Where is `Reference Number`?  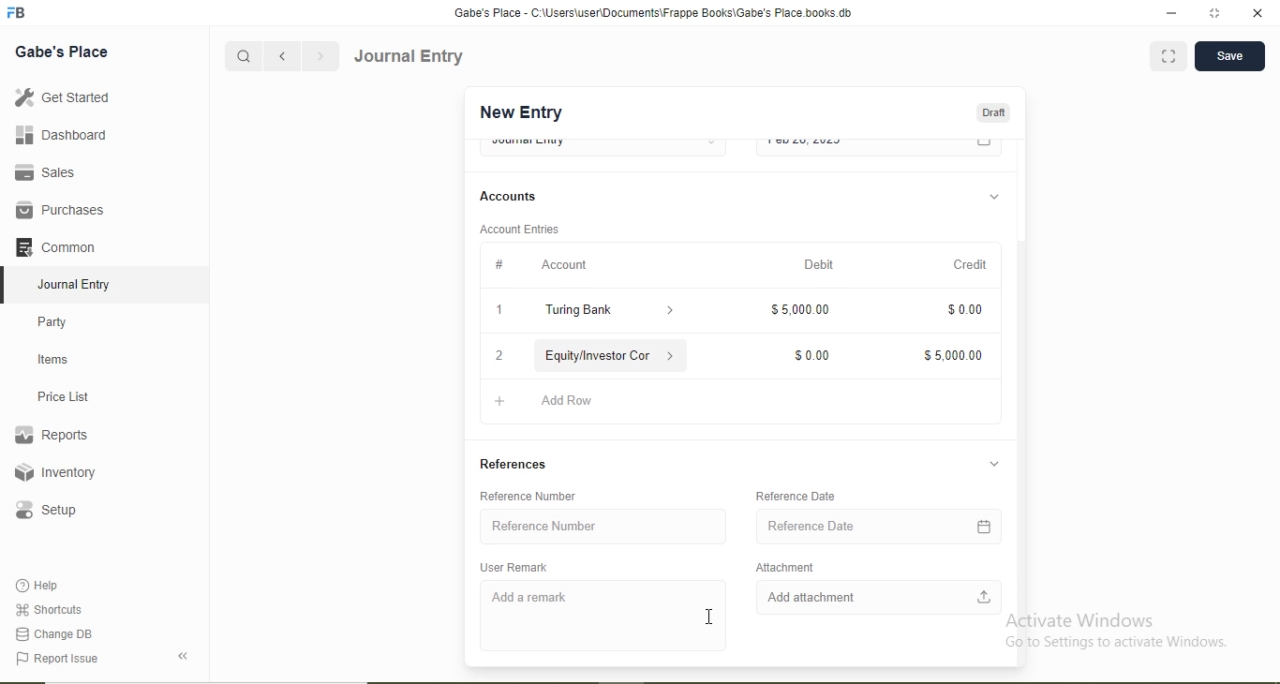 Reference Number is located at coordinates (545, 526).